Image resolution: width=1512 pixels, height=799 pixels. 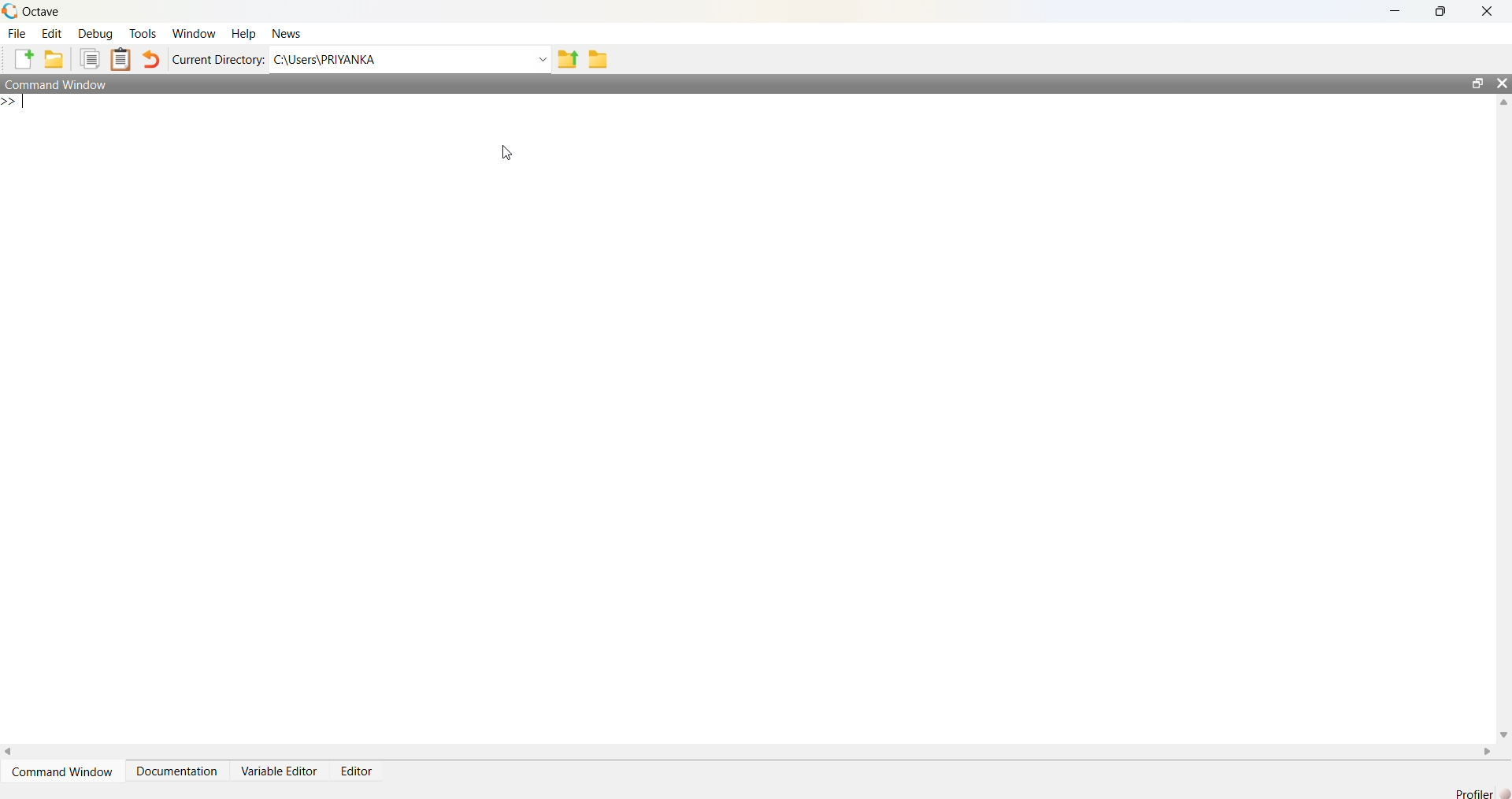 I want to click on Command Window, so click(x=68, y=84).